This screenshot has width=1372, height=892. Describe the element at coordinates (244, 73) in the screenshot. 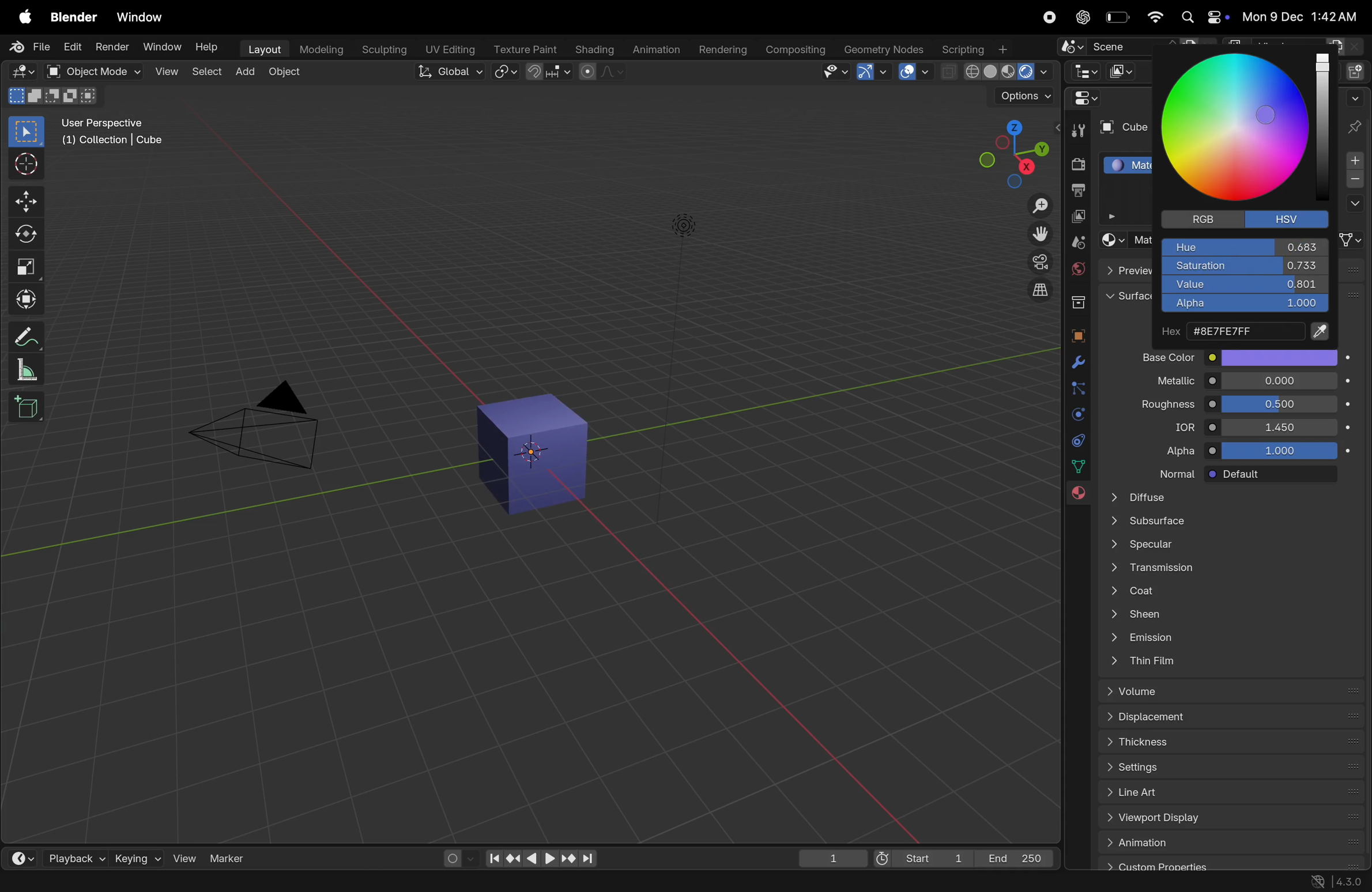

I see `add` at that location.